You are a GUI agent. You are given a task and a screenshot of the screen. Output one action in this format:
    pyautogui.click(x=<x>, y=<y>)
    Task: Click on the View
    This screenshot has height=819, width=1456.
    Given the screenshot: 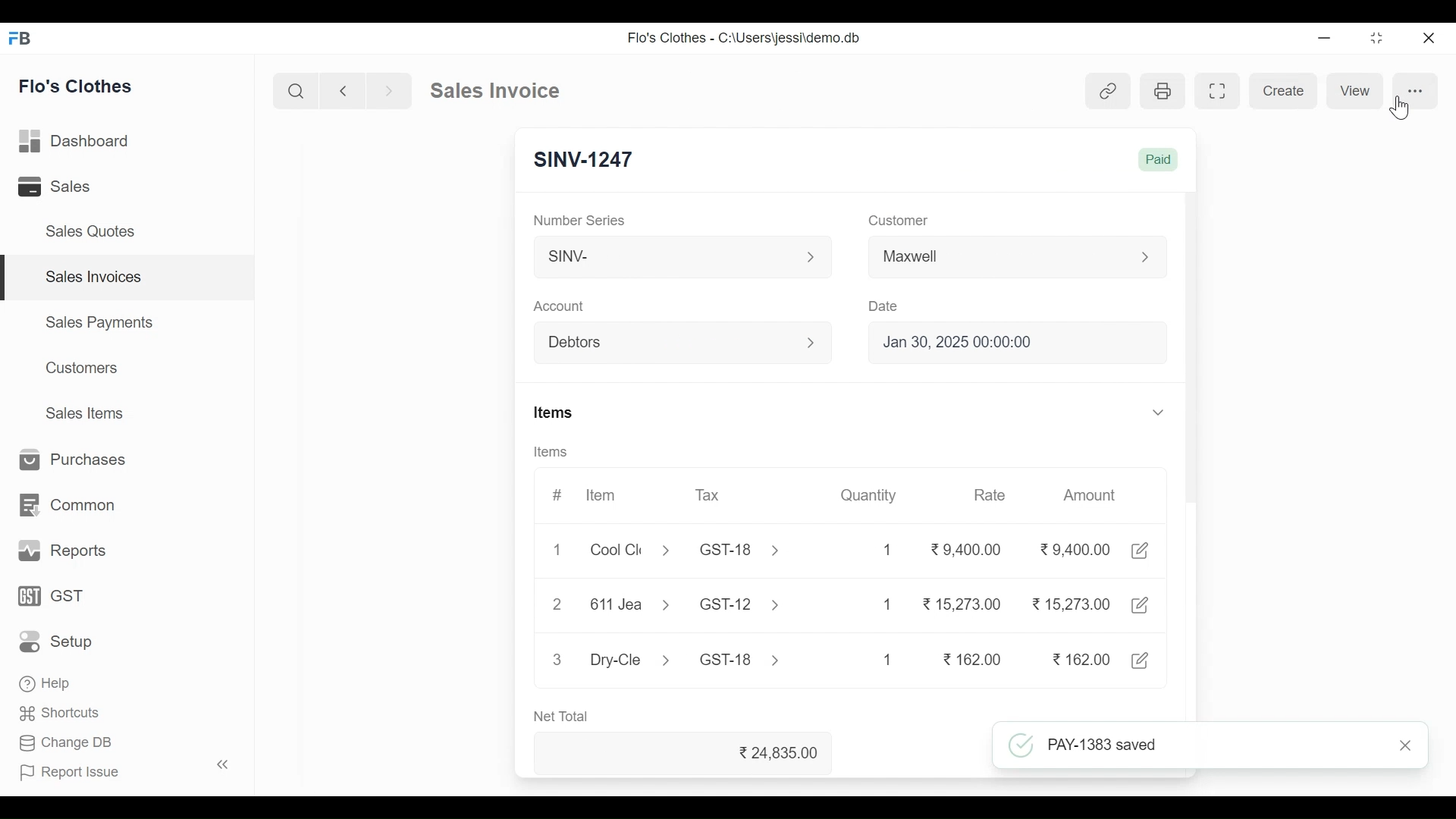 What is the action you would take?
    pyautogui.click(x=1354, y=91)
    